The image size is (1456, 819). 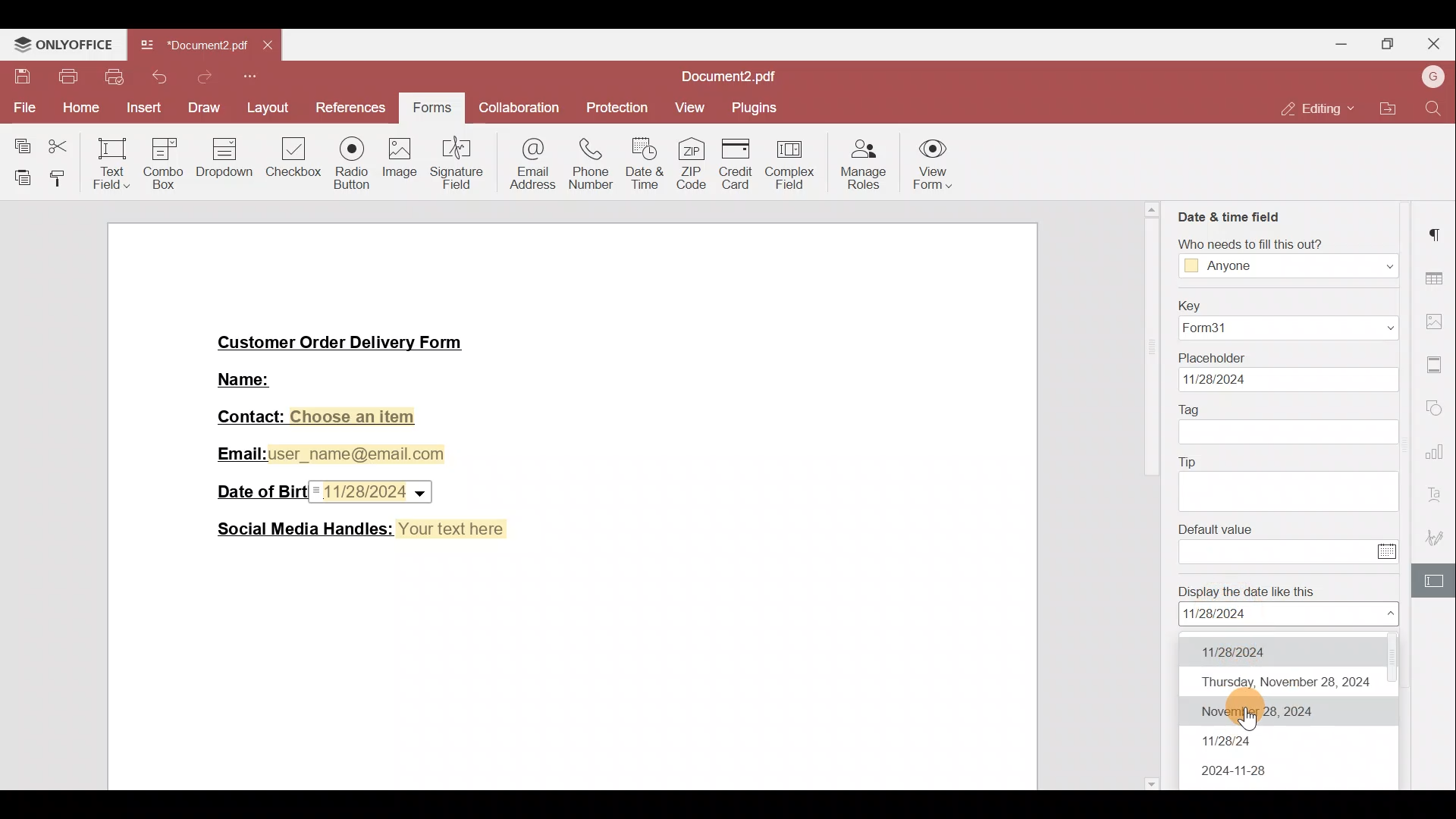 What do you see at coordinates (1389, 109) in the screenshot?
I see `Open file location` at bounding box center [1389, 109].